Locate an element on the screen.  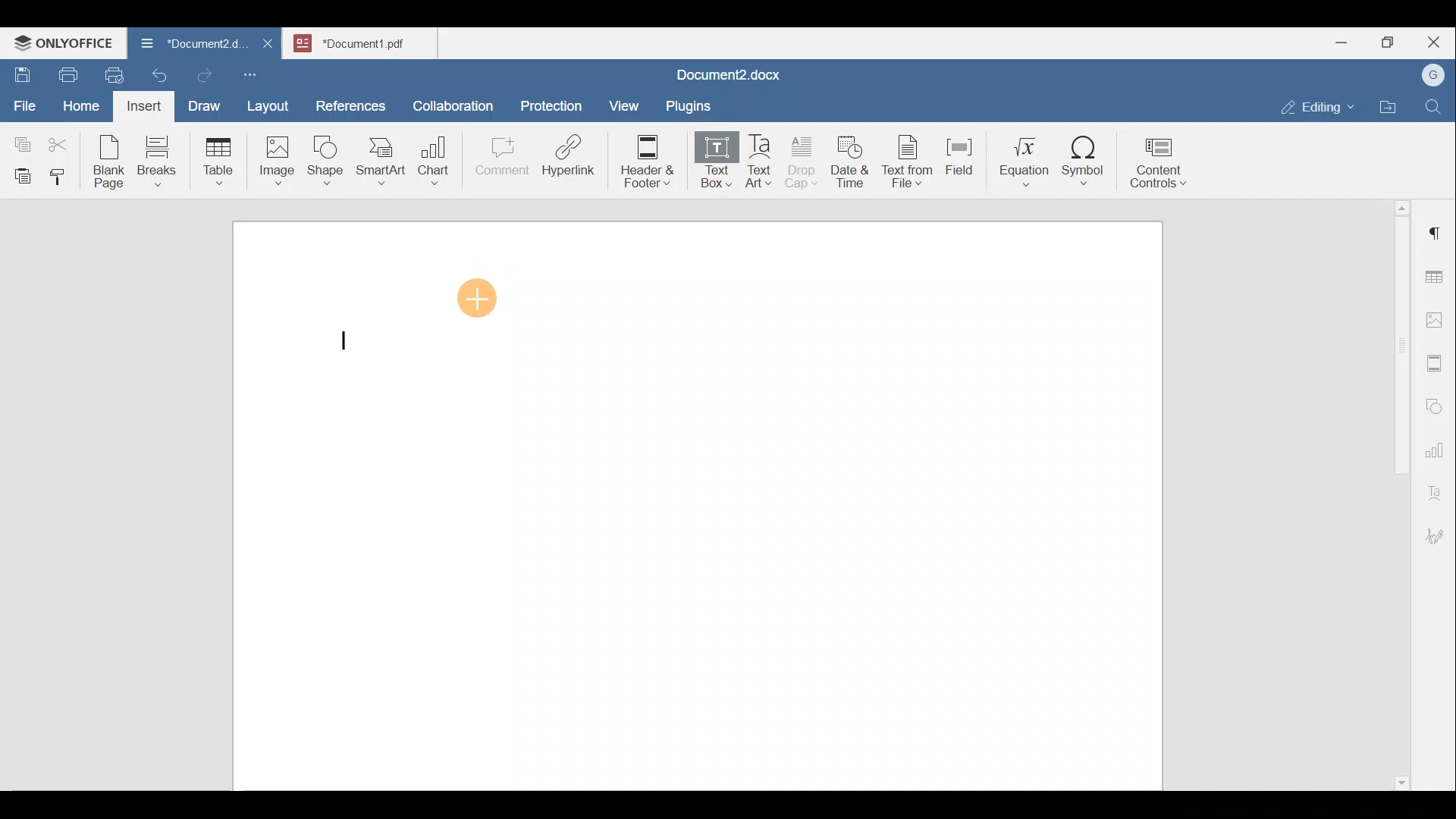
Signature settings is located at coordinates (1439, 531).